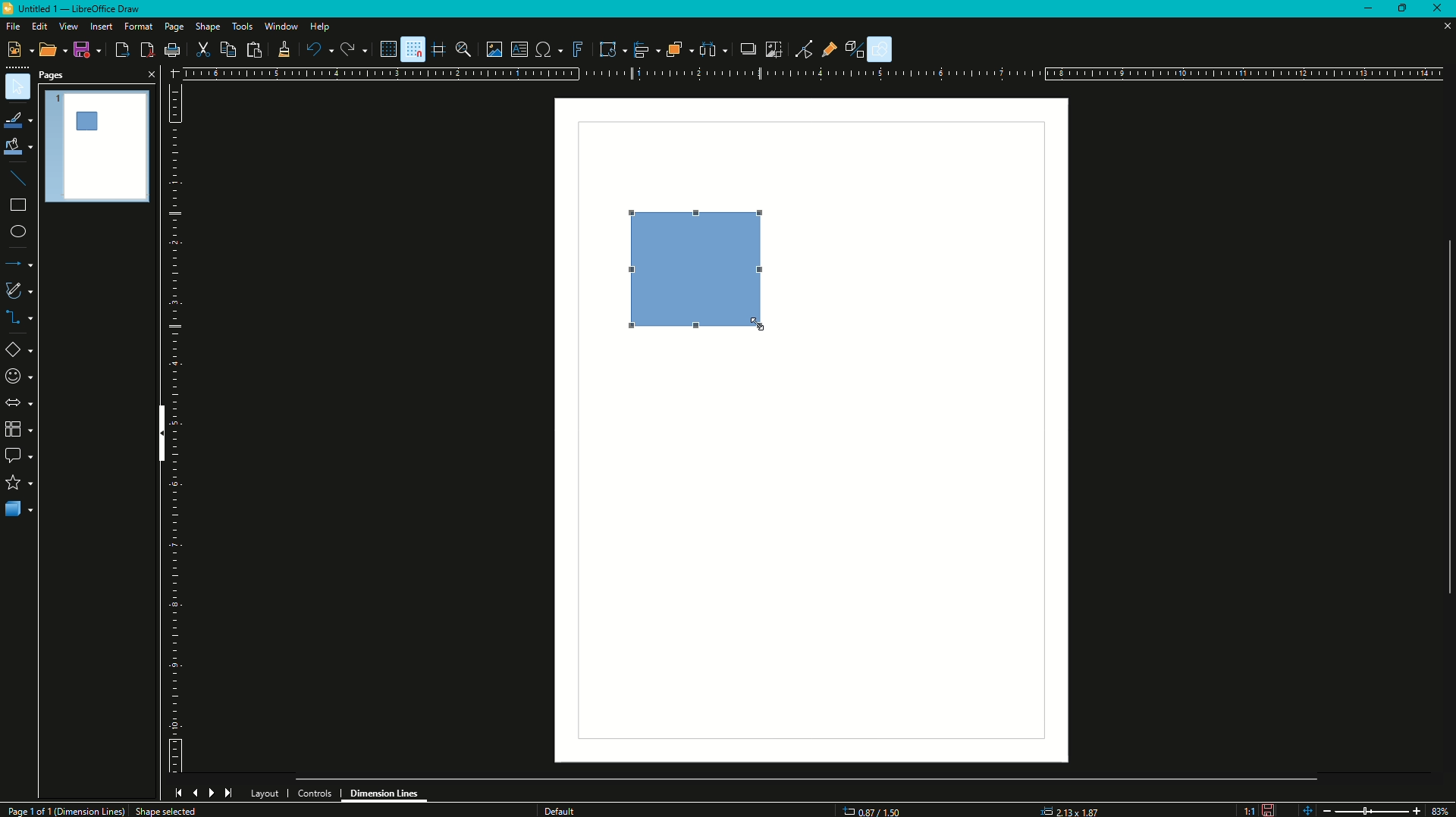 Image resolution: width=1456 pixels, height=817 pixels. Describe the element at coordinates (78, 11) in the screenshot. I see `Untitled` at that location.